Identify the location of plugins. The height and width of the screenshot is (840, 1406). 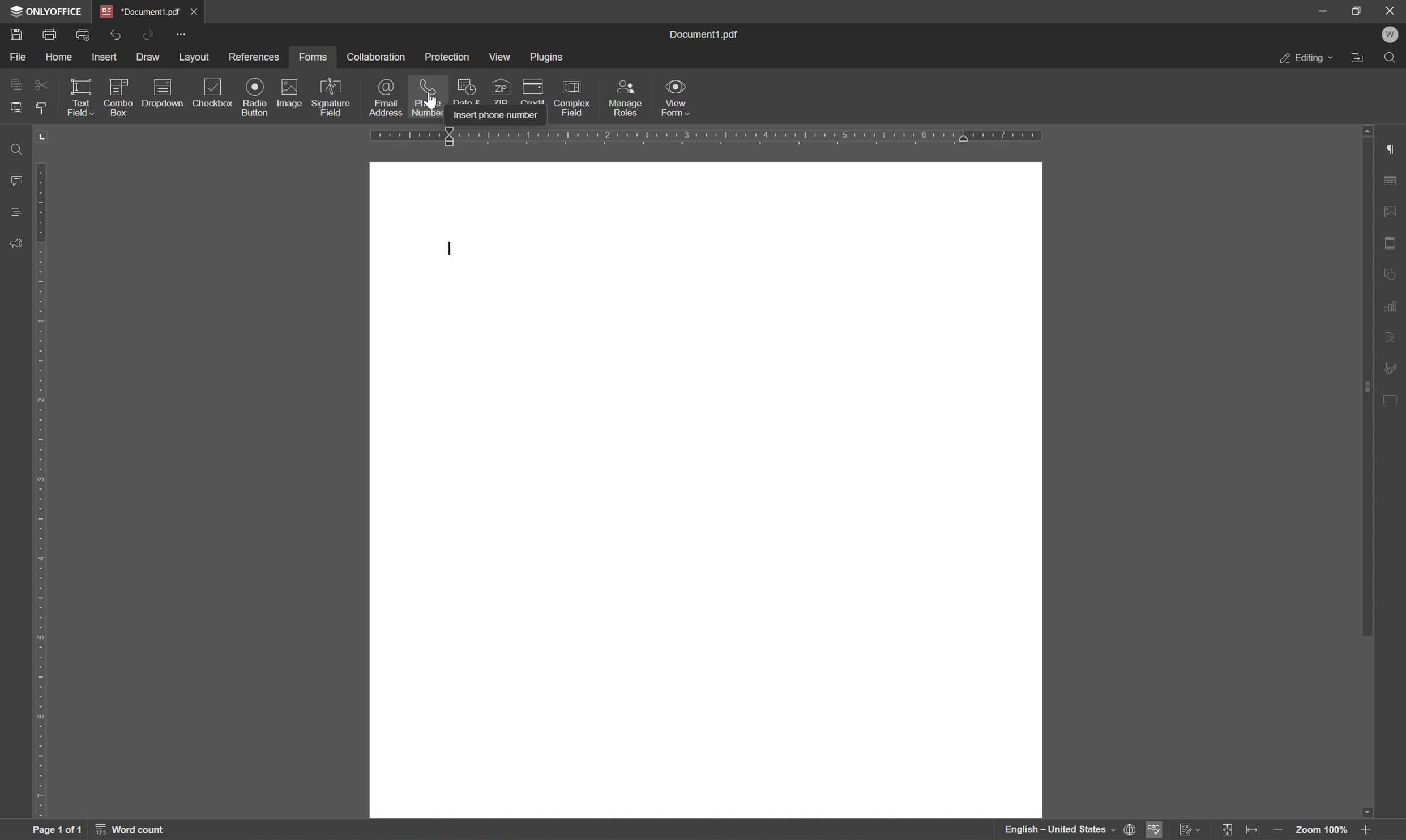
(546, 57).